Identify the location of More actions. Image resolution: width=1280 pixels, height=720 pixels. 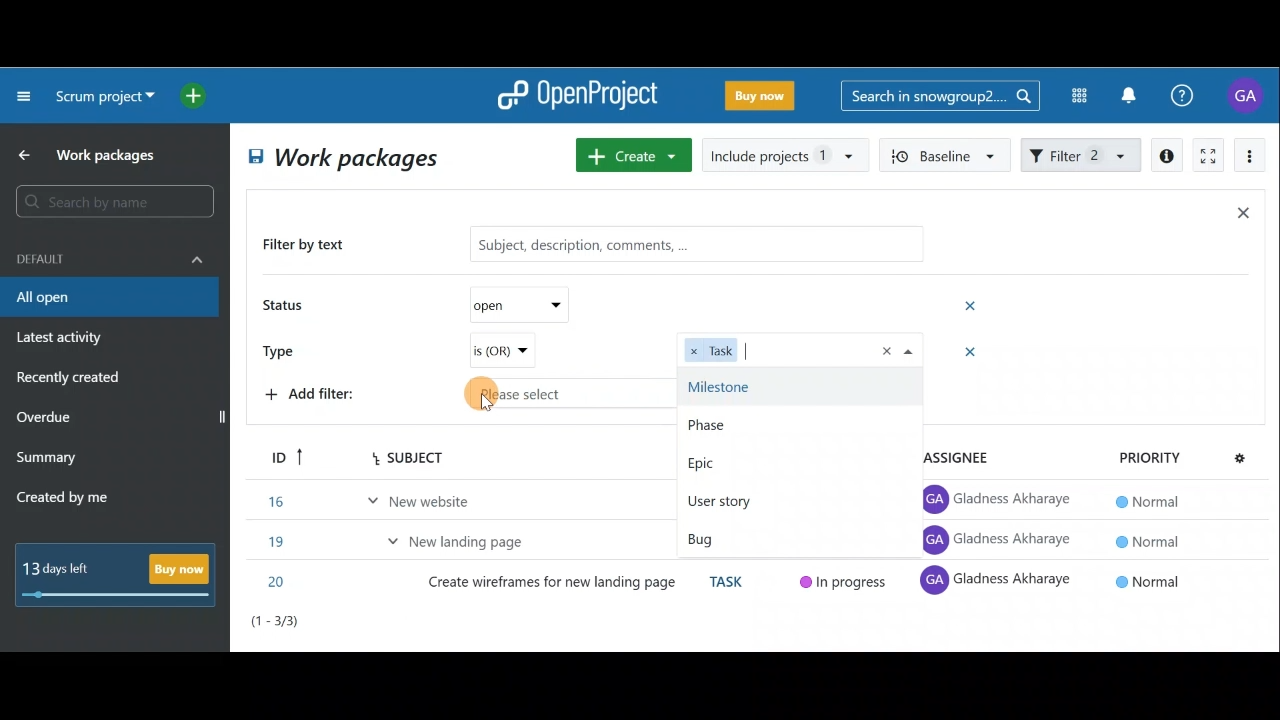
(1250, 159).